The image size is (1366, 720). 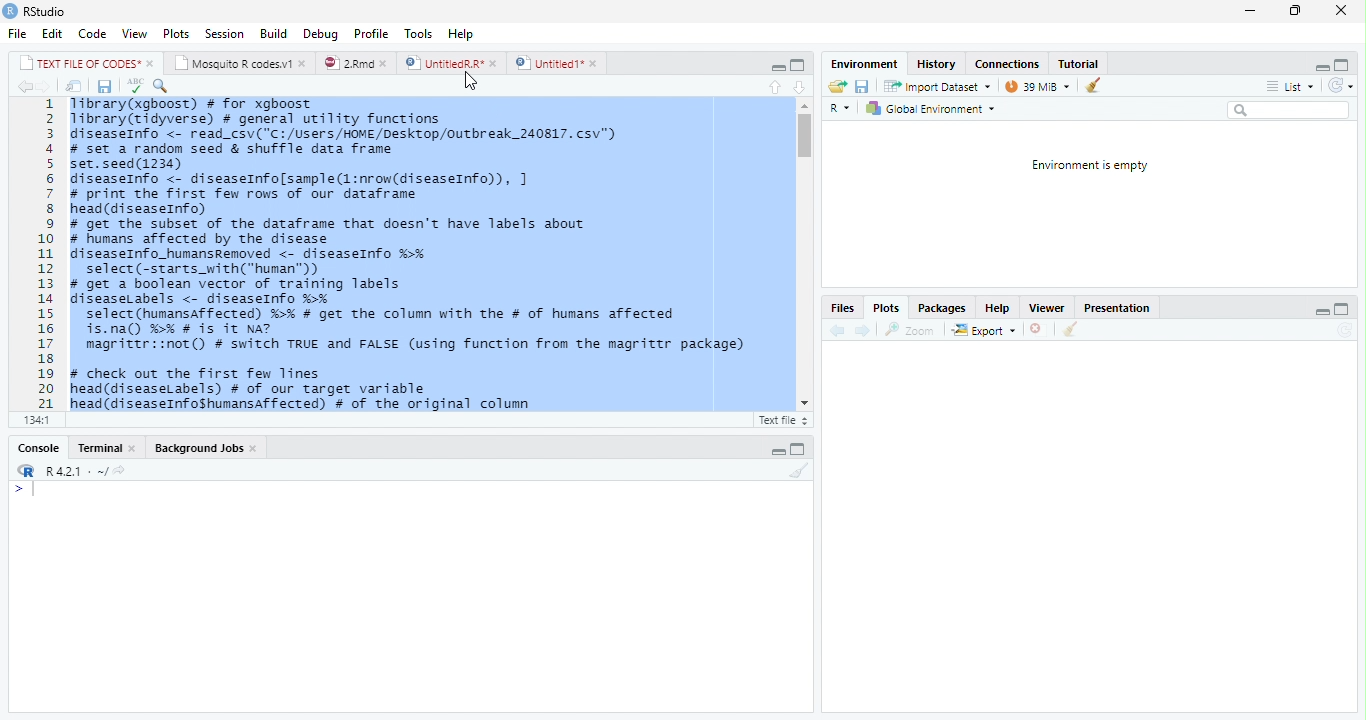 What do you see at coordinates (38, 419) in the screenshot?
I see `1:1` at bounding box center [38, 419].